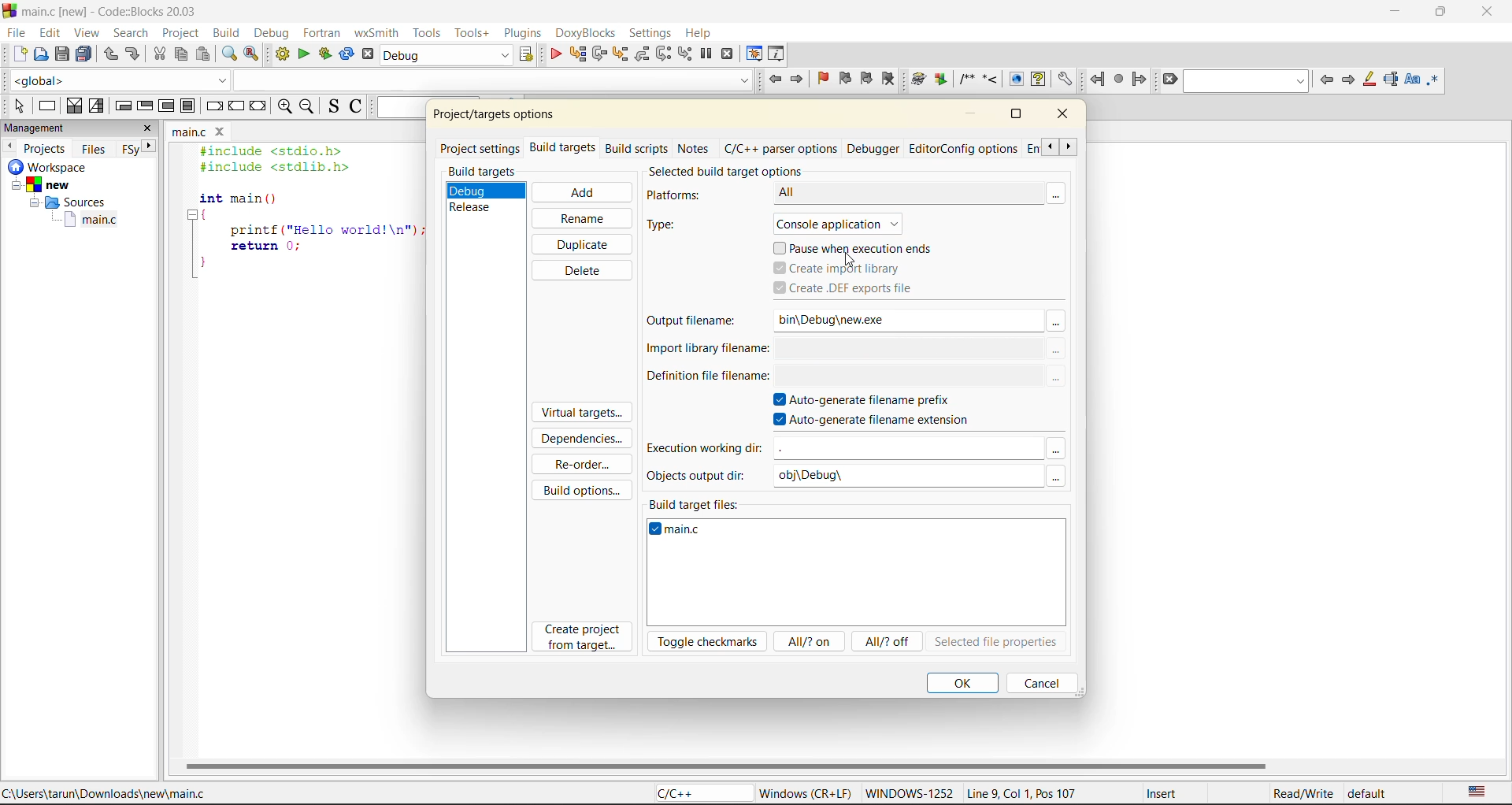 This screenshot has height=805, width=1512. Describe the element at coordinates (94, 222) in the screenshot. I see `main.c` at that location.